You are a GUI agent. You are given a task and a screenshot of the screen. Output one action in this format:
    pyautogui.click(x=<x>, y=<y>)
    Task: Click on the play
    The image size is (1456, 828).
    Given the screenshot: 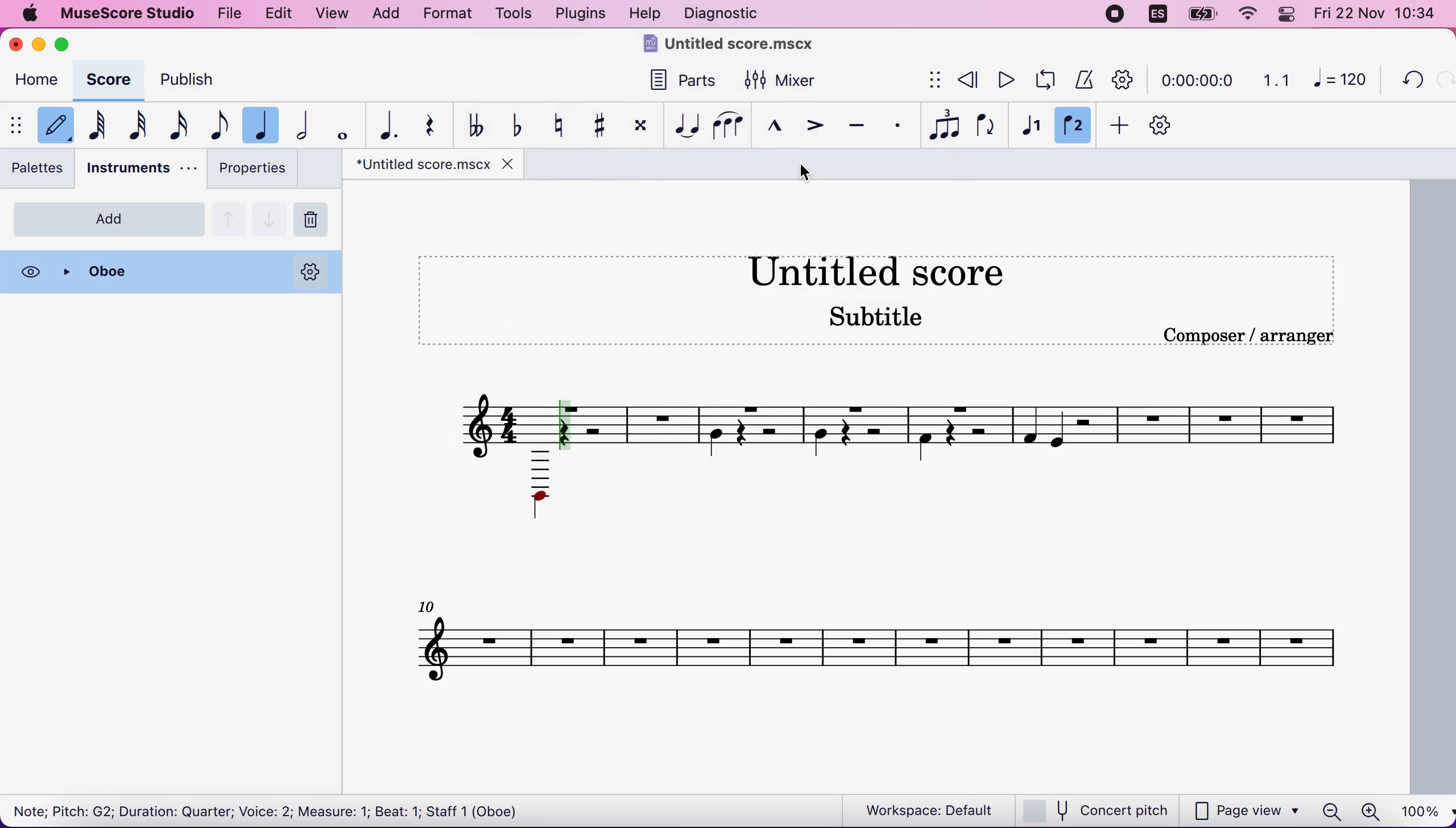 What is the action you would take?
    pyautogui.click(x=1001, y=82)
    